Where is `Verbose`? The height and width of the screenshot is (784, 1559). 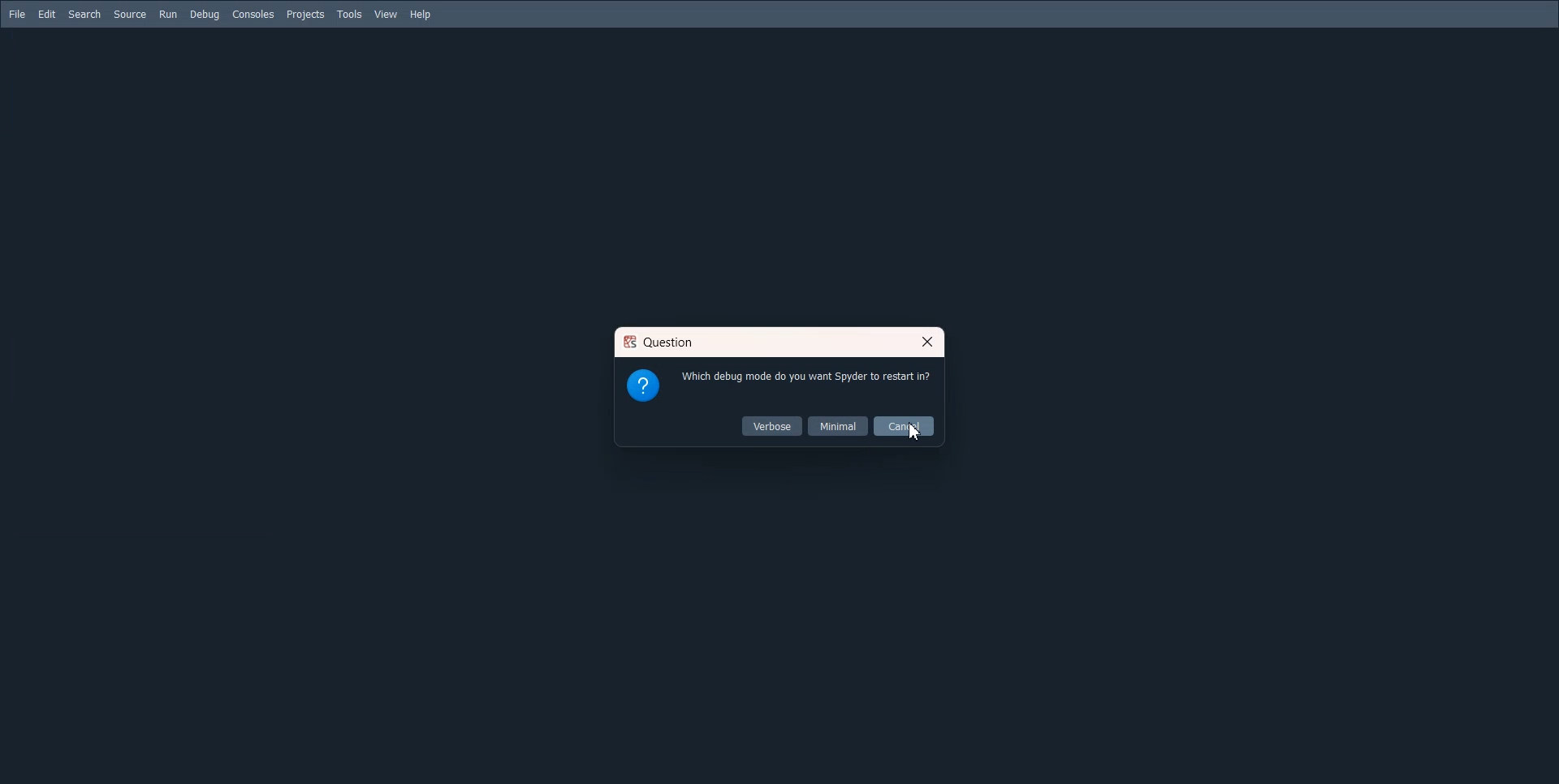 Verbose is located at coordinates (773, 426).